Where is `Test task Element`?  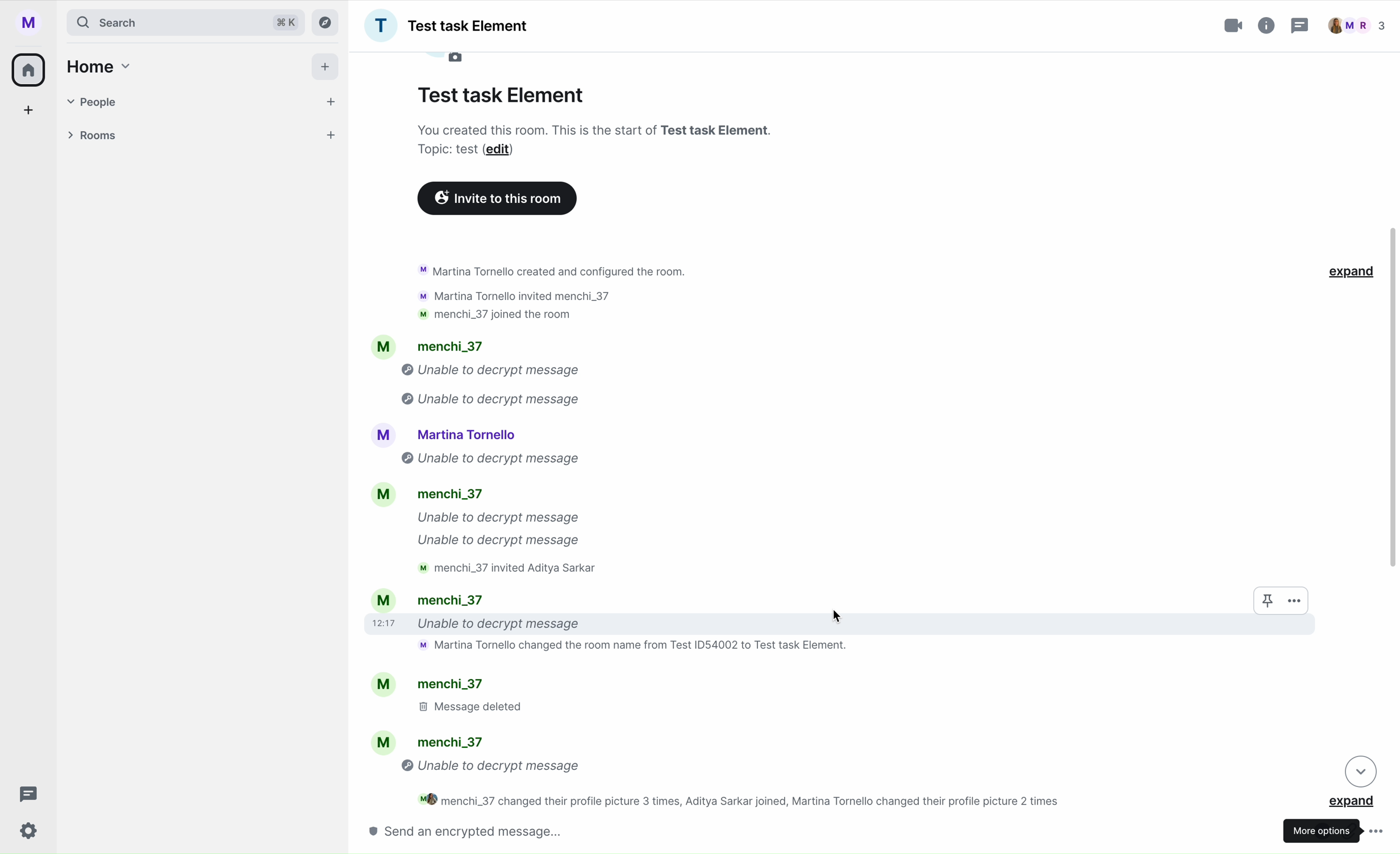 Test task Element is located at coordinates (503, 92).